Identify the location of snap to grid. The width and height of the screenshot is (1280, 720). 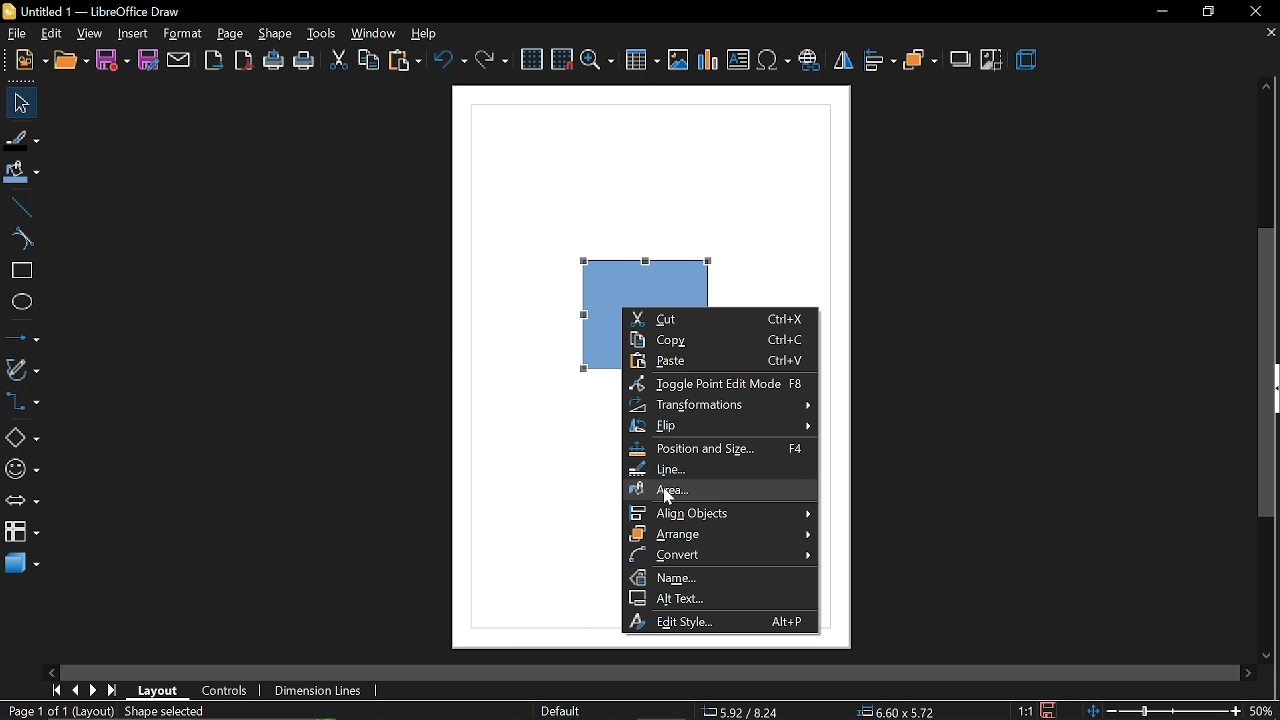
(562, 61).